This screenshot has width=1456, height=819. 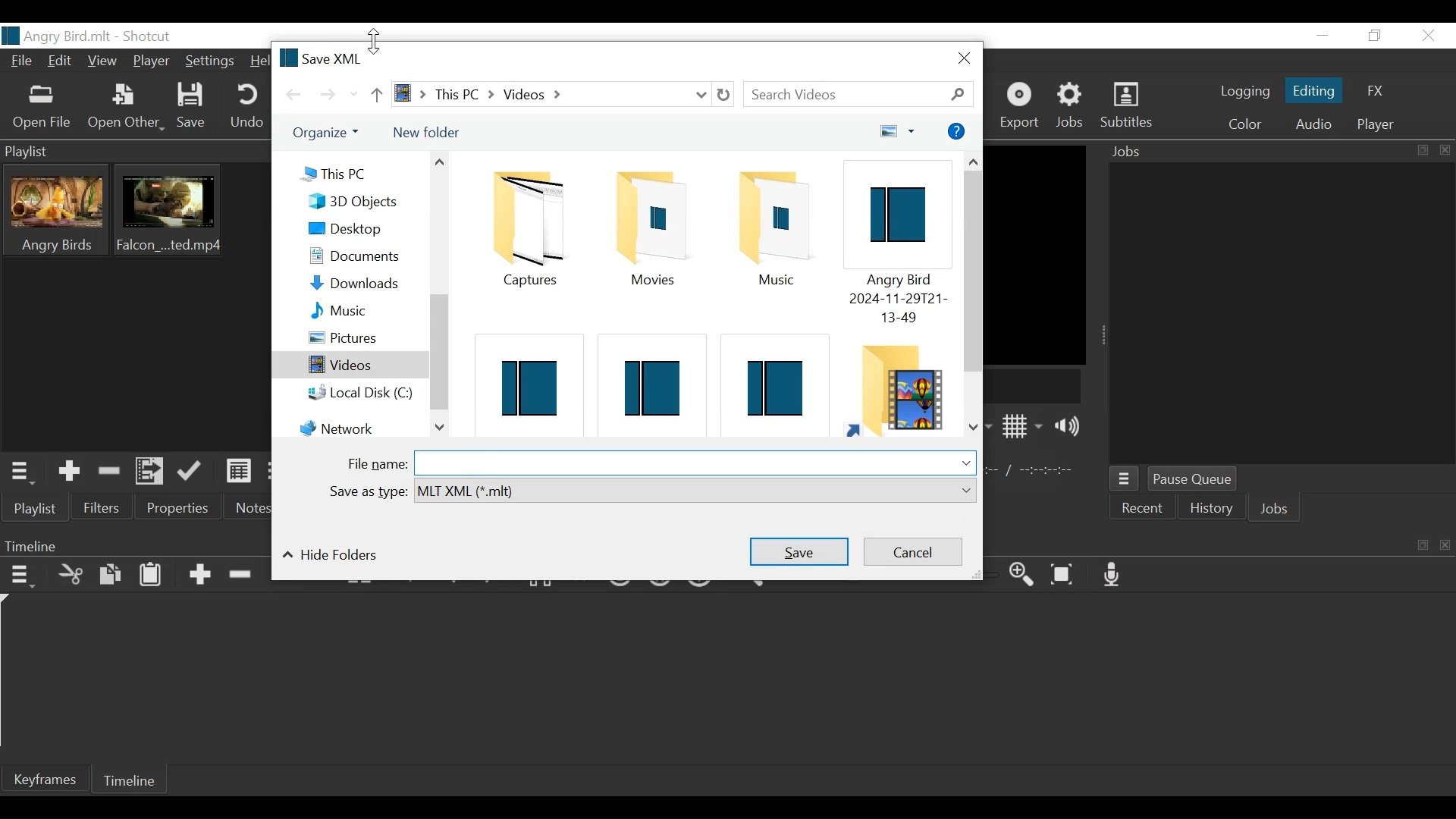 What do you see at coordinates (240, 575) in the screenshot?
I see `Ripple Delete` at bounding box center [240, 575].